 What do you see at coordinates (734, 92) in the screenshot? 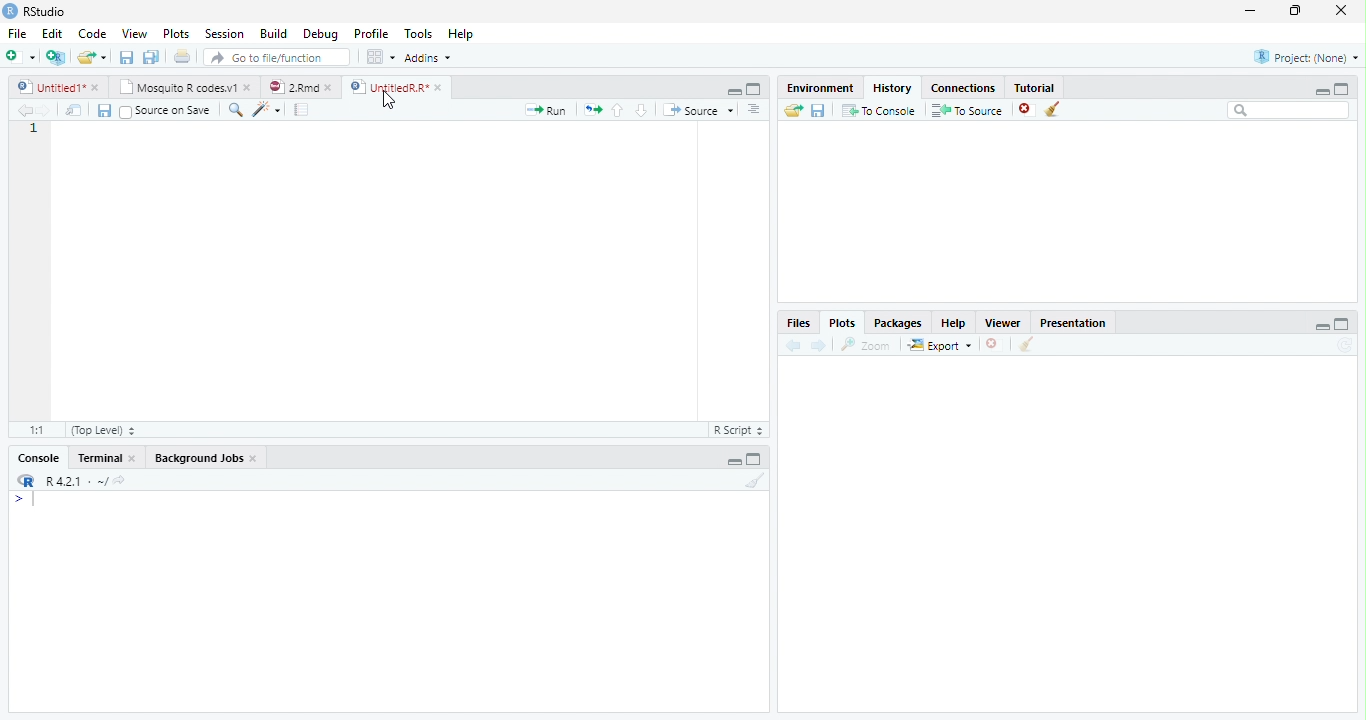
I see `Minimize` at bounding box center [734, 92].